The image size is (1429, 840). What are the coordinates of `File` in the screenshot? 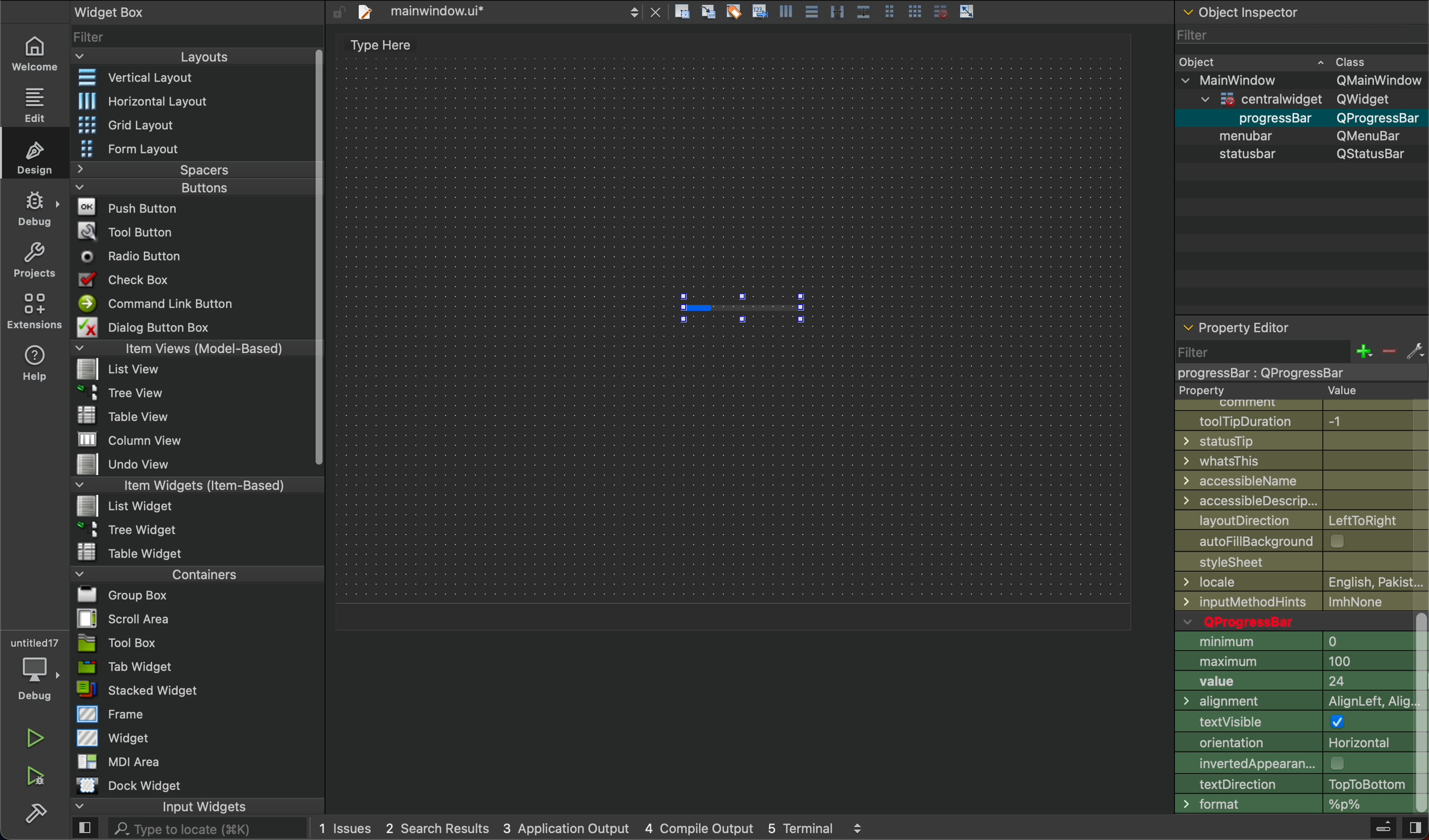 It's located at (126, 505).